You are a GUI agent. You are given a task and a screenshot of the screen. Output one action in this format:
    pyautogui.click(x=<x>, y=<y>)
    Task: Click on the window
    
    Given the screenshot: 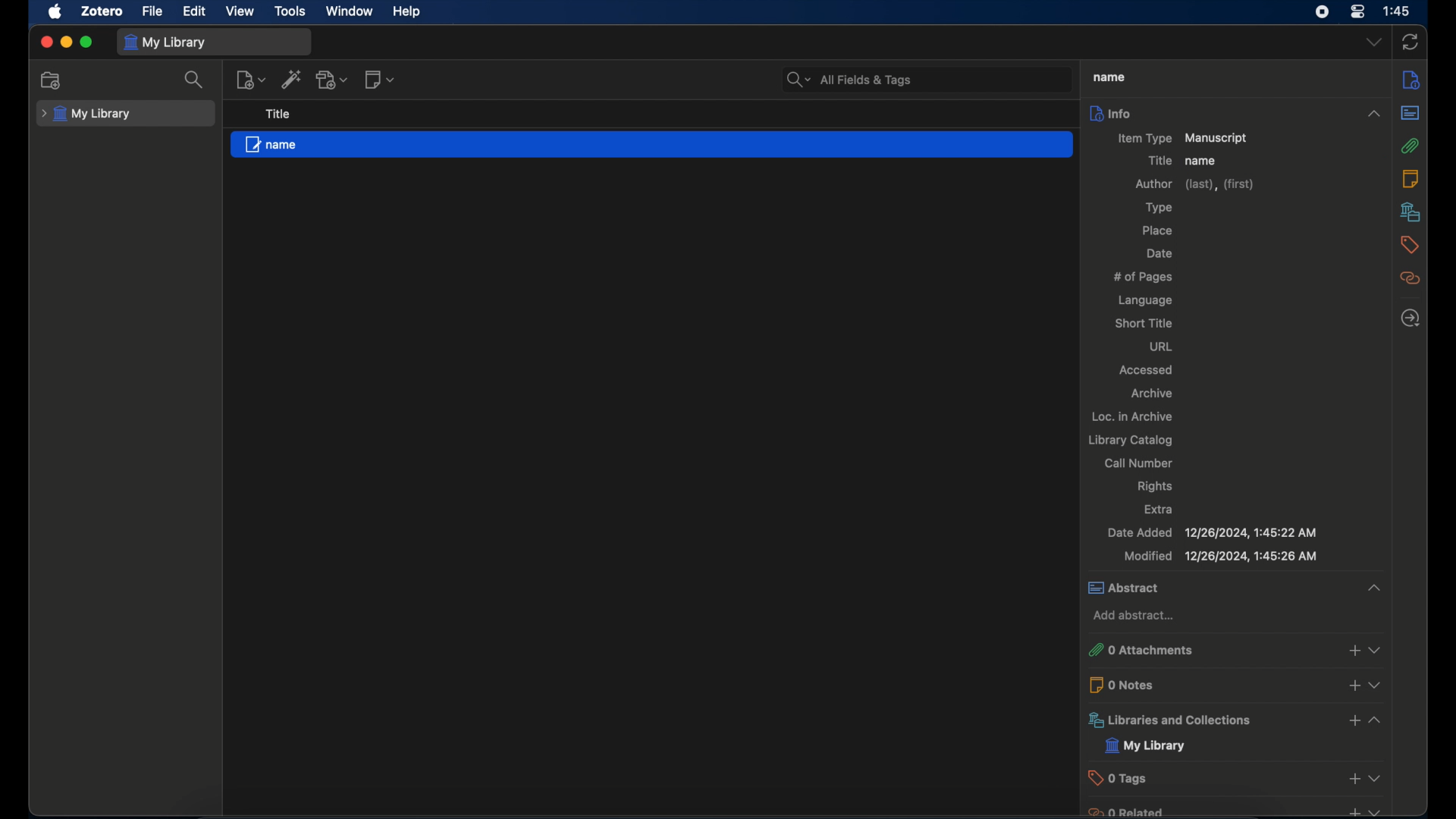 What is the action you would take?
    pyautogui.click(x=349, y=11)
    